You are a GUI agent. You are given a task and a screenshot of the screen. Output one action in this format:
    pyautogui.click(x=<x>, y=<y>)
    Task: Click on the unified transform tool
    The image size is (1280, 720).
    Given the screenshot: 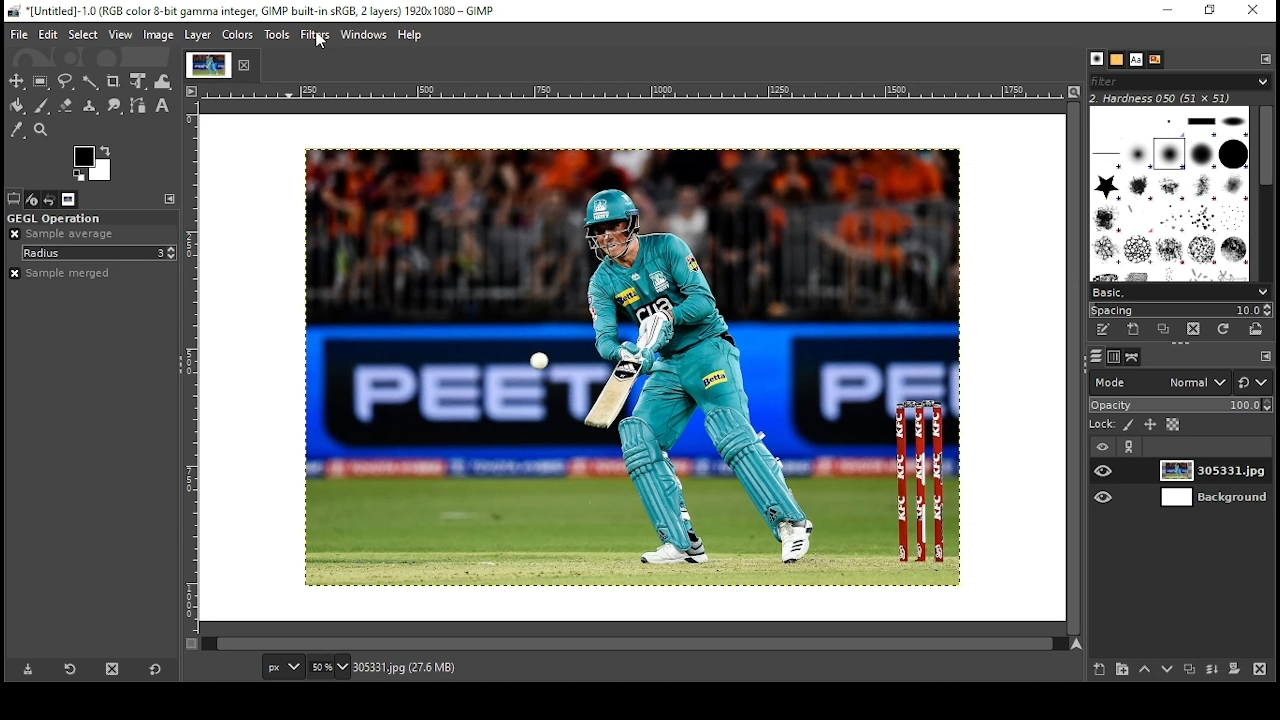 What is the action you would take?
    pyautogui.click(x=139, y=80)
    